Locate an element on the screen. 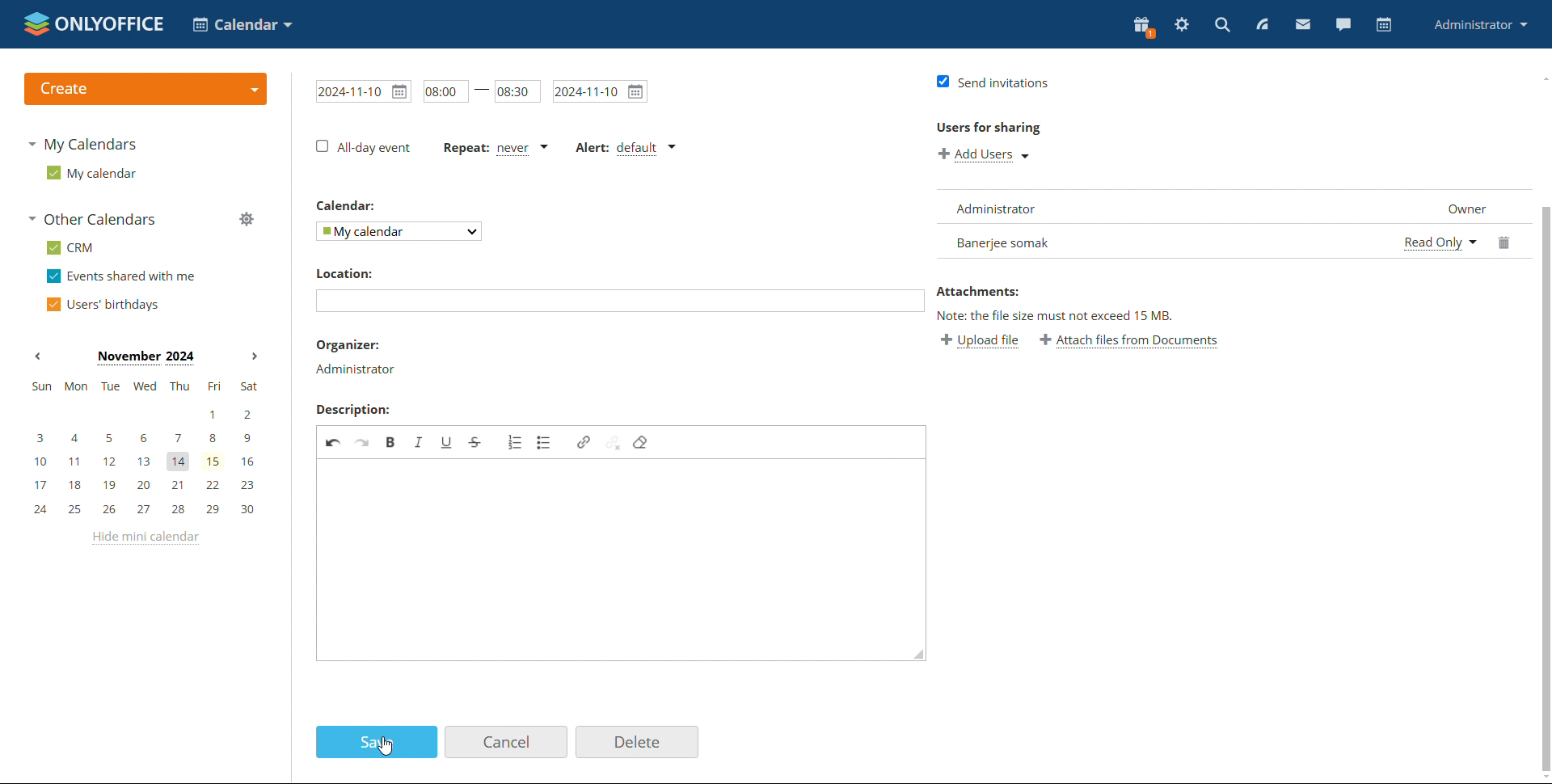  profile is located at coordinates (1482, 24).